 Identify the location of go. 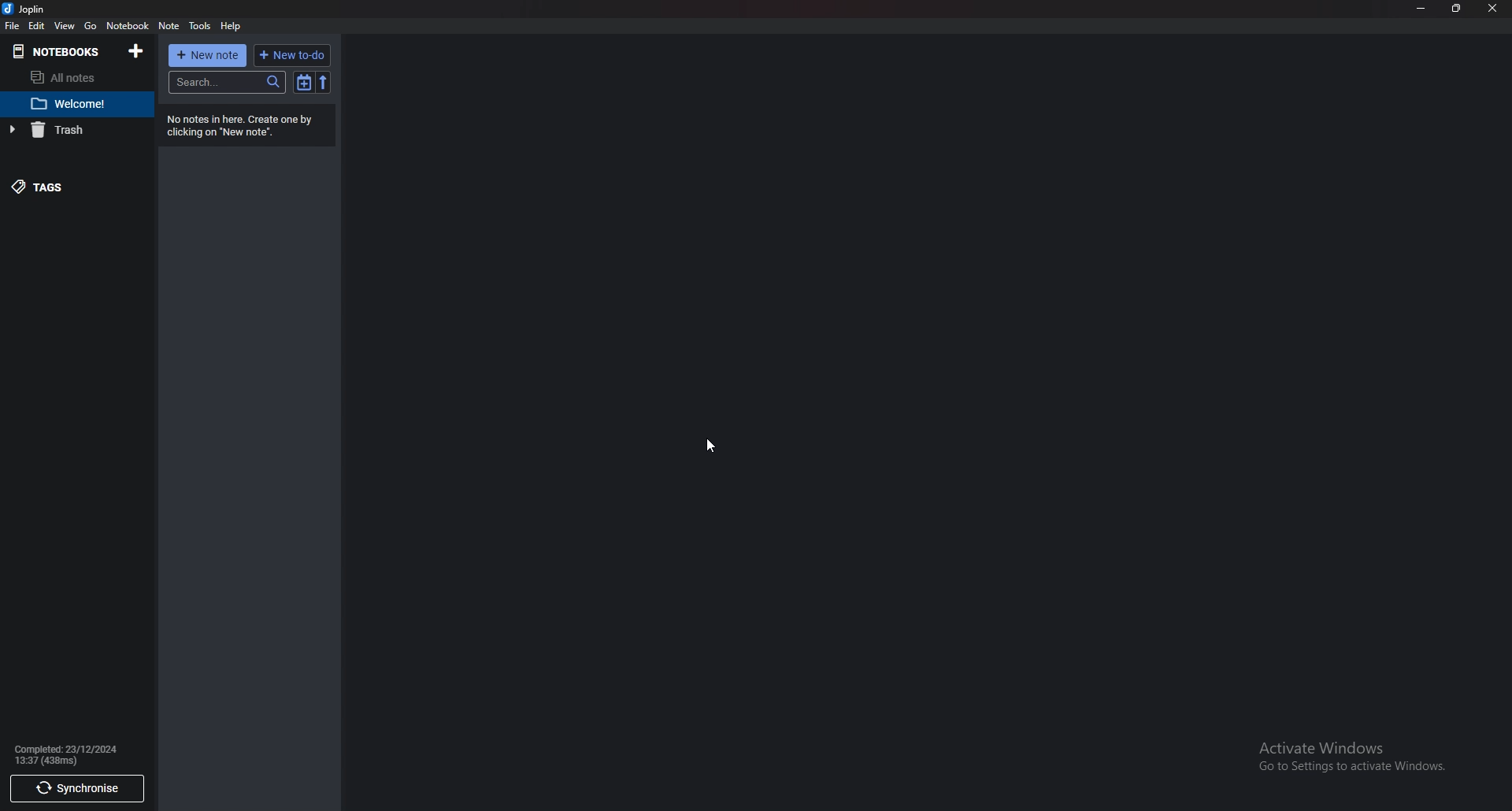
(90, 28).